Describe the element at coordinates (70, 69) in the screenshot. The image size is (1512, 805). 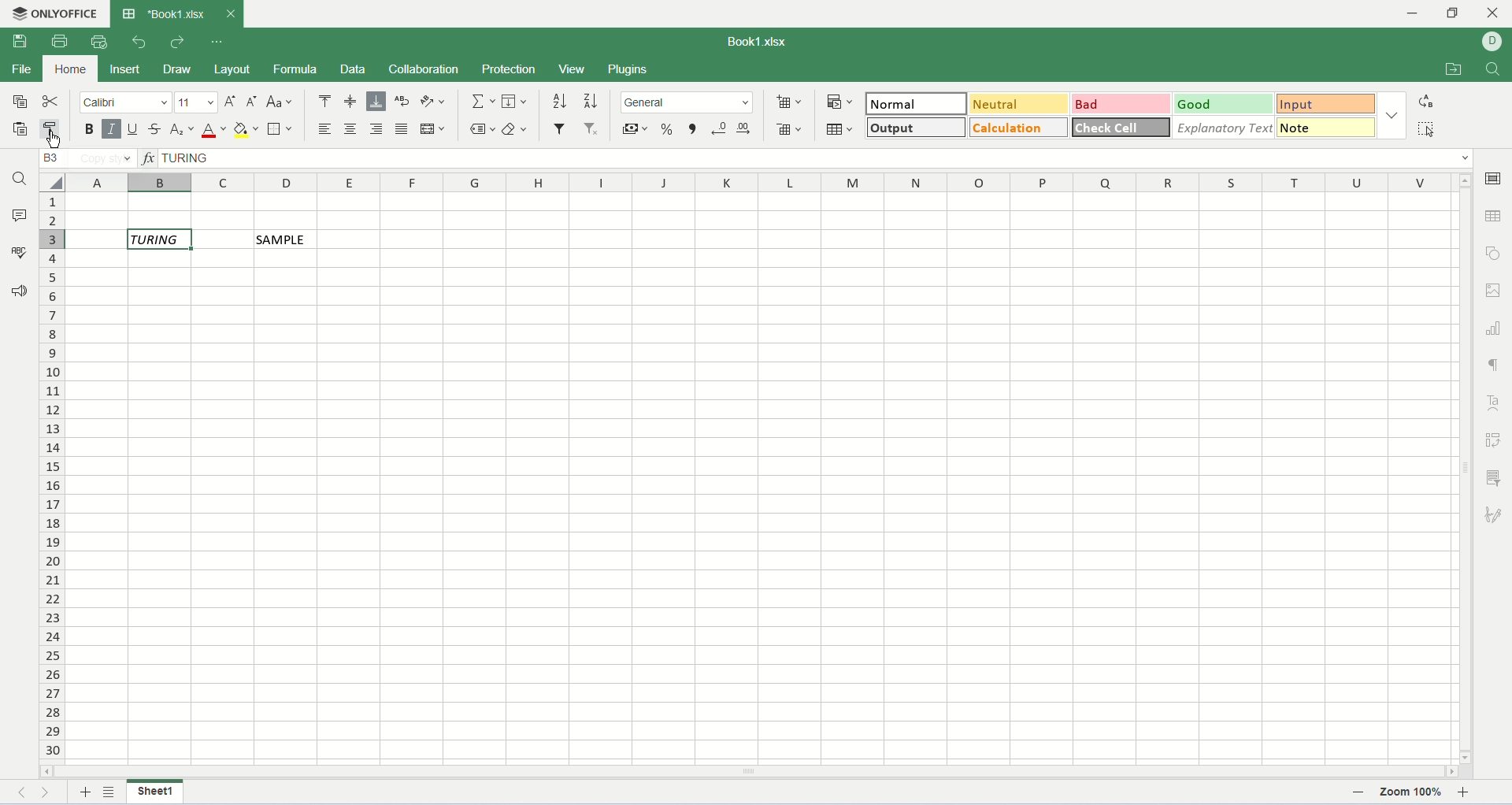
I see `home` at that location.